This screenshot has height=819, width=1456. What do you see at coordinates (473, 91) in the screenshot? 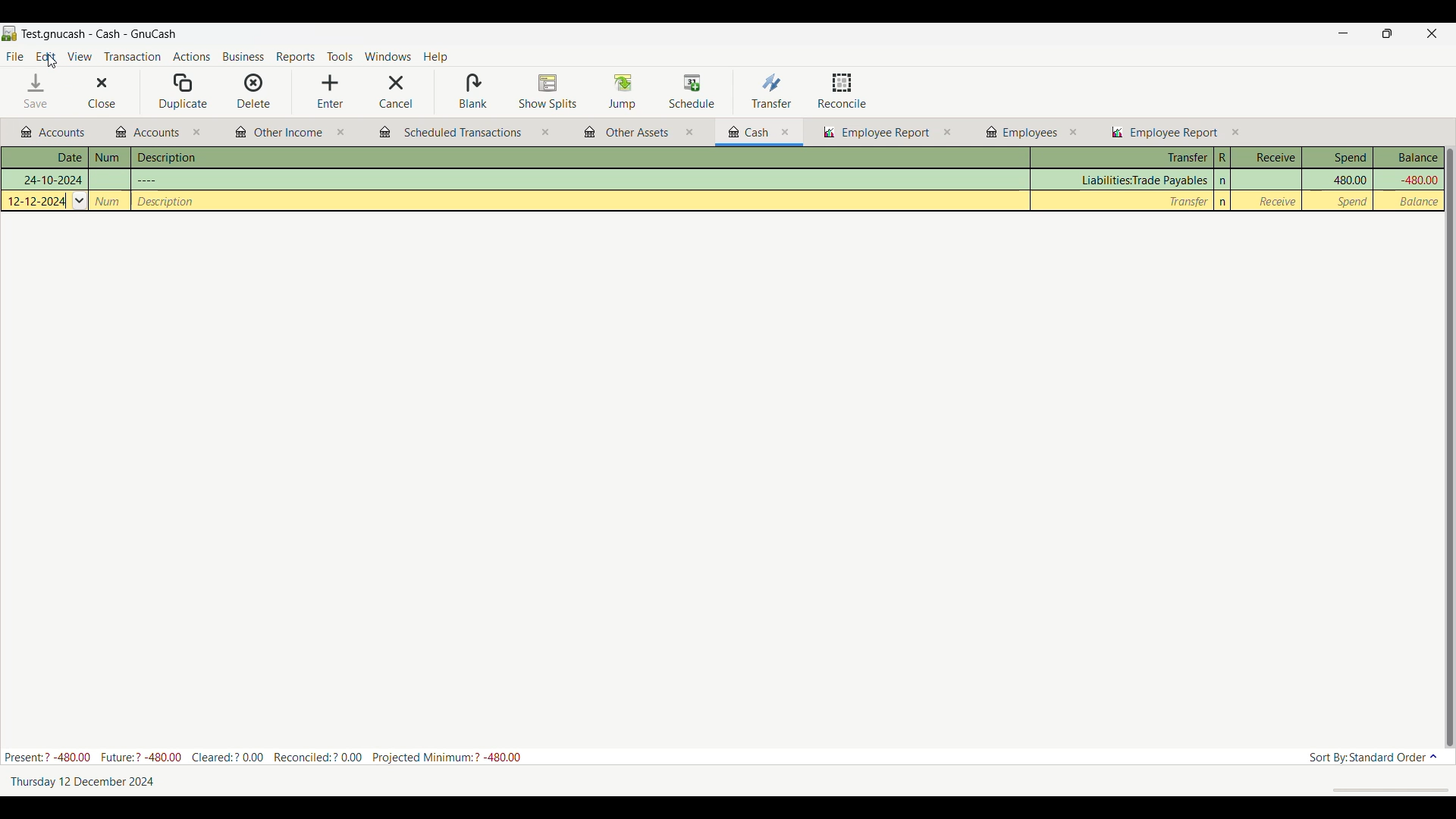
I see `Blank` at bounding box center [473, 91].